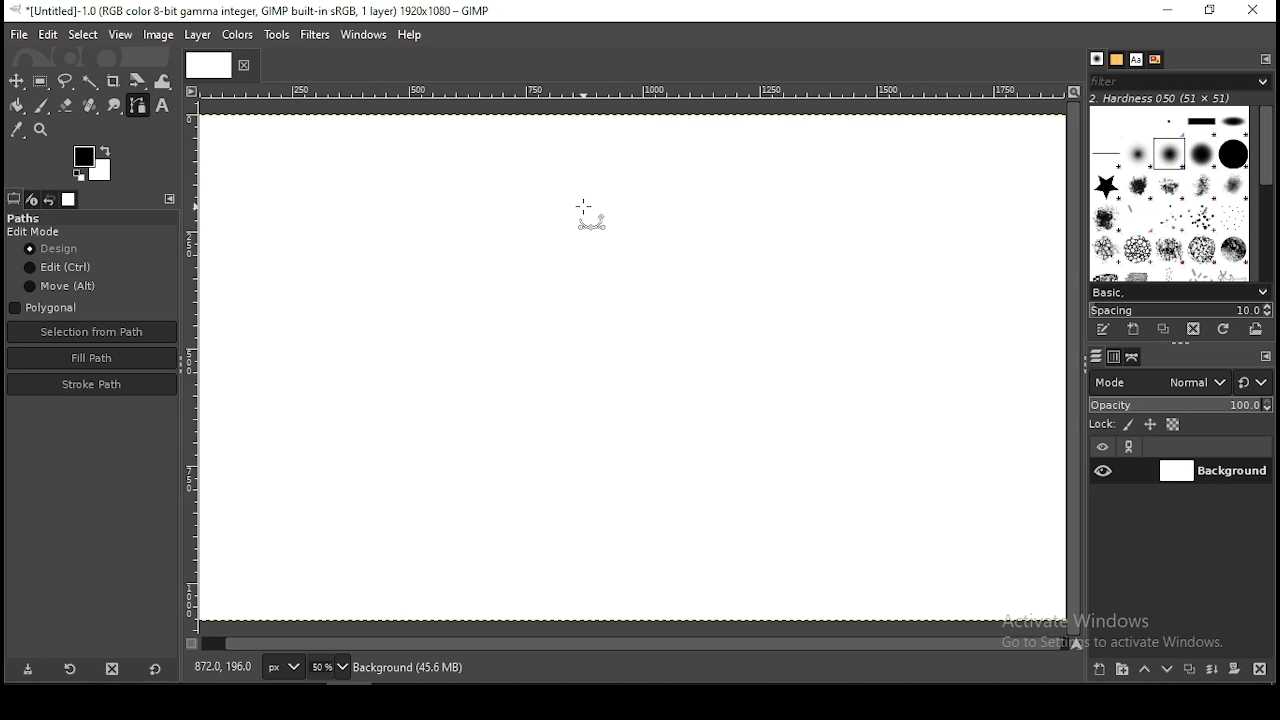 The height and width of the screenshot is (720, 1280). I want to click on restore, so click(1210, 11).